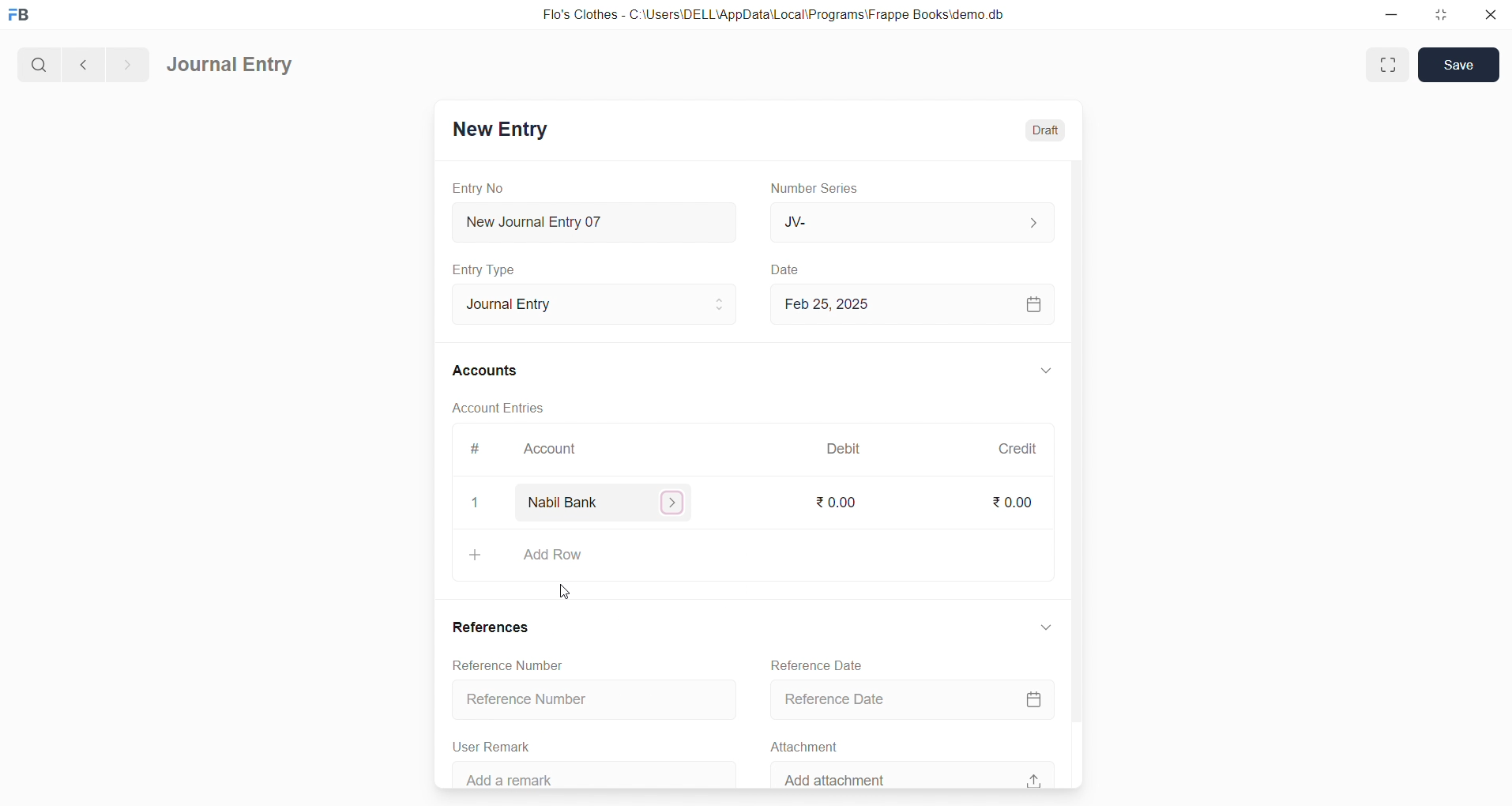  I want to click on search, so click(37, 62).